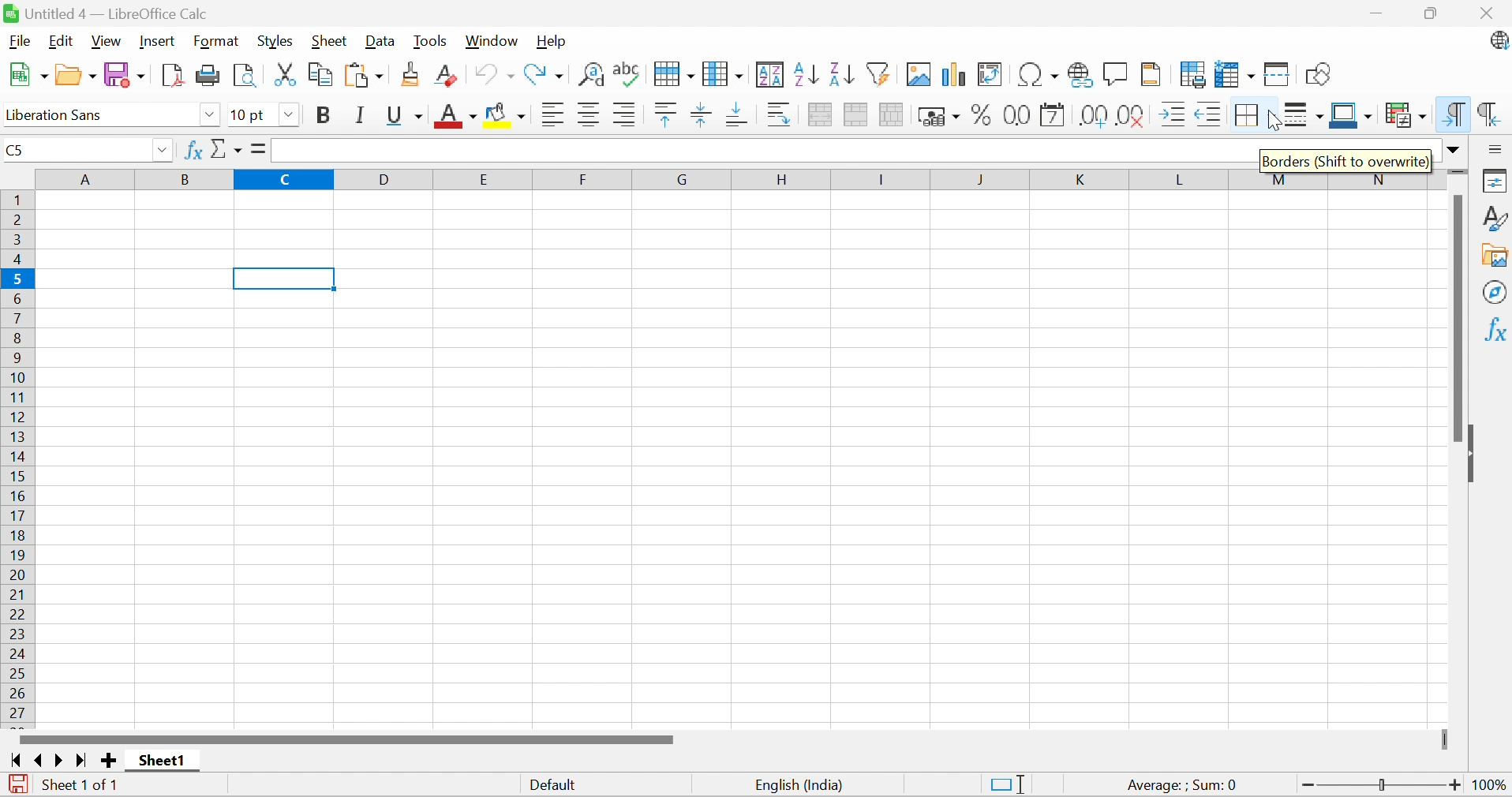  I want to click on Functions, so click(1495, 328).